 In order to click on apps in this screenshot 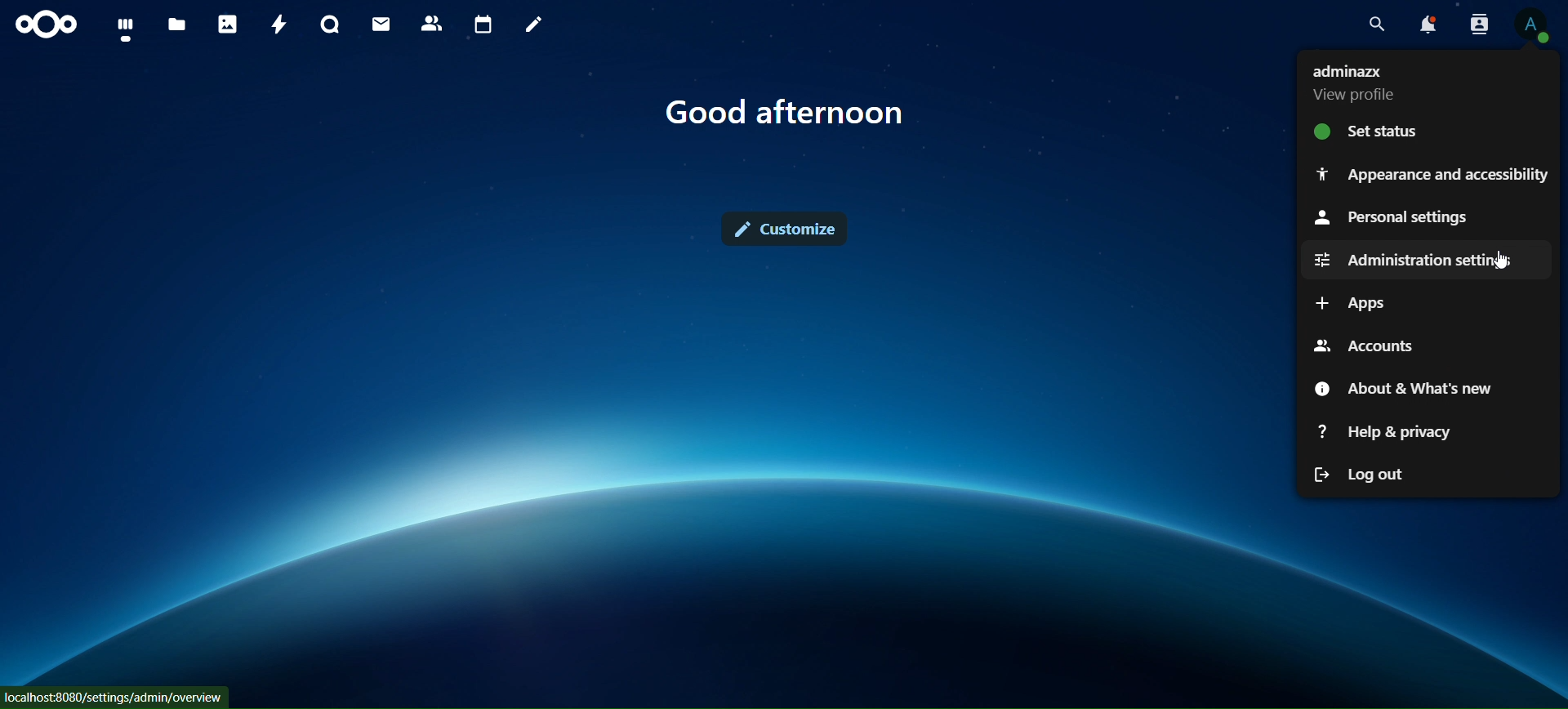, I will do `click(1353, 304)`.